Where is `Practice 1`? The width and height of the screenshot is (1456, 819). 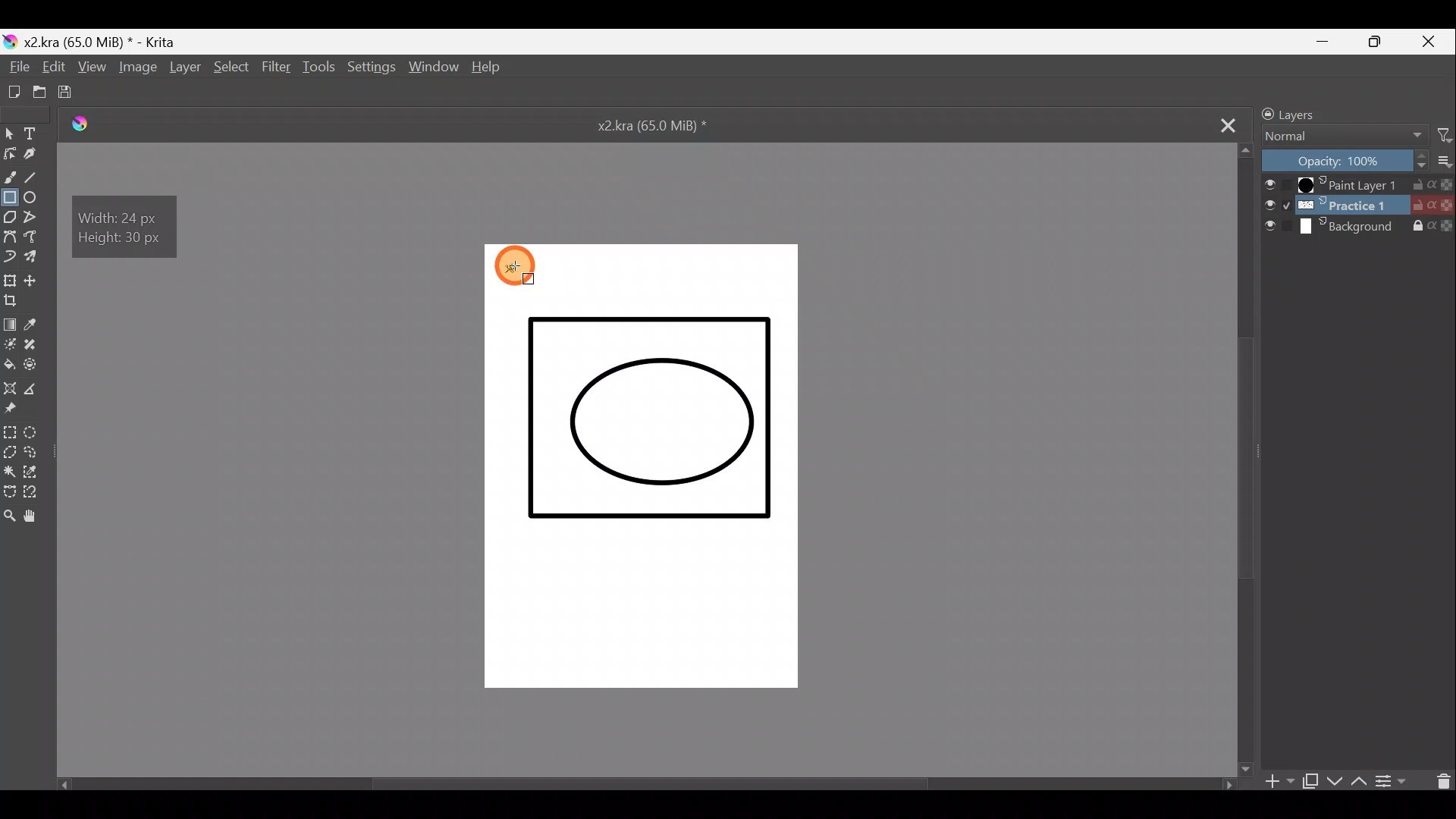
Practice 1 is located at coordinates (1359, 207).